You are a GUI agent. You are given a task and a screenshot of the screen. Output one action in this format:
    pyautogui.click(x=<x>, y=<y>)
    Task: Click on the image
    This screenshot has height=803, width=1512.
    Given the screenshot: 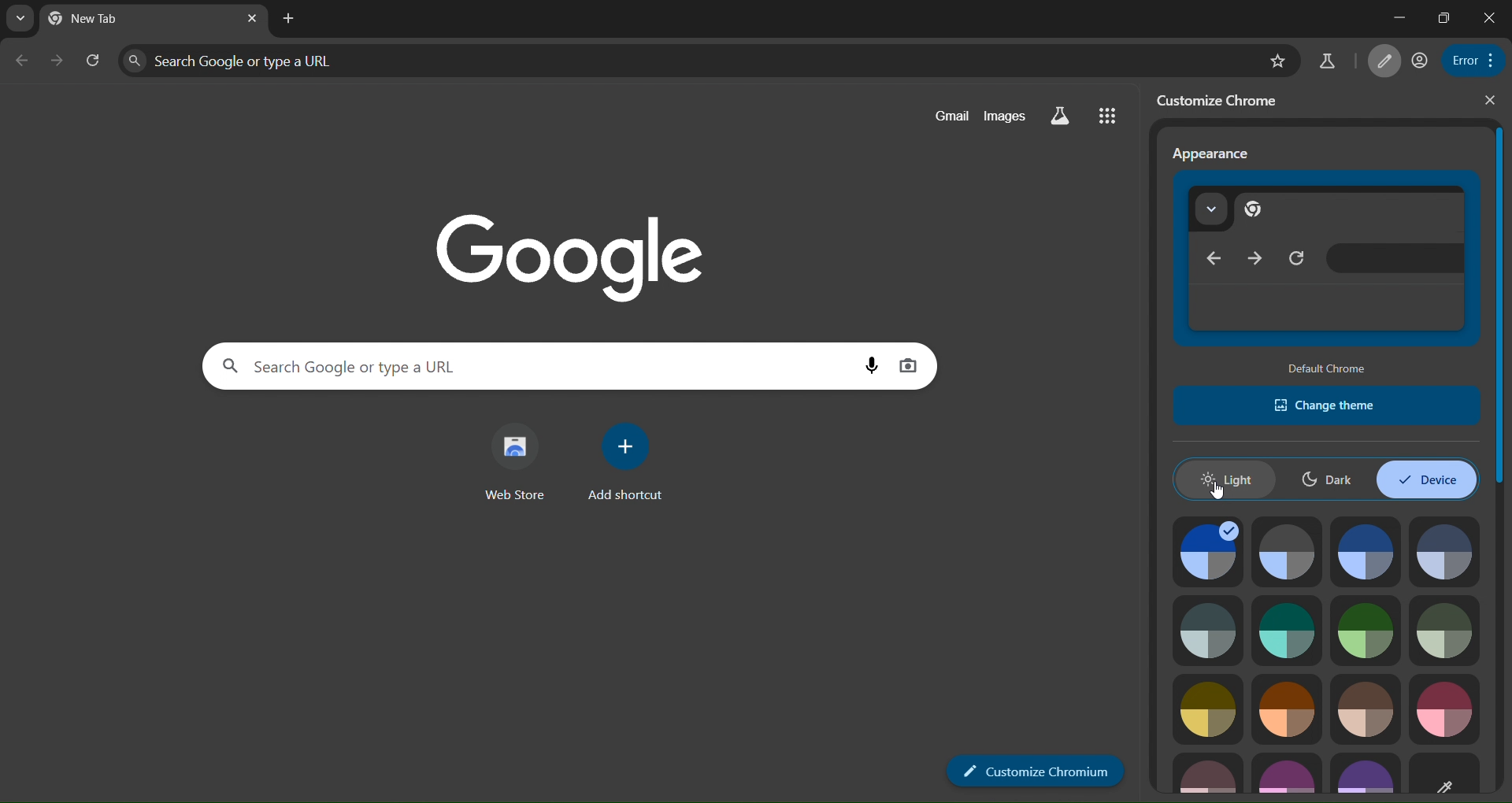 What is the action you would take?
    pyautogui.click(x=1367, y=629)
    